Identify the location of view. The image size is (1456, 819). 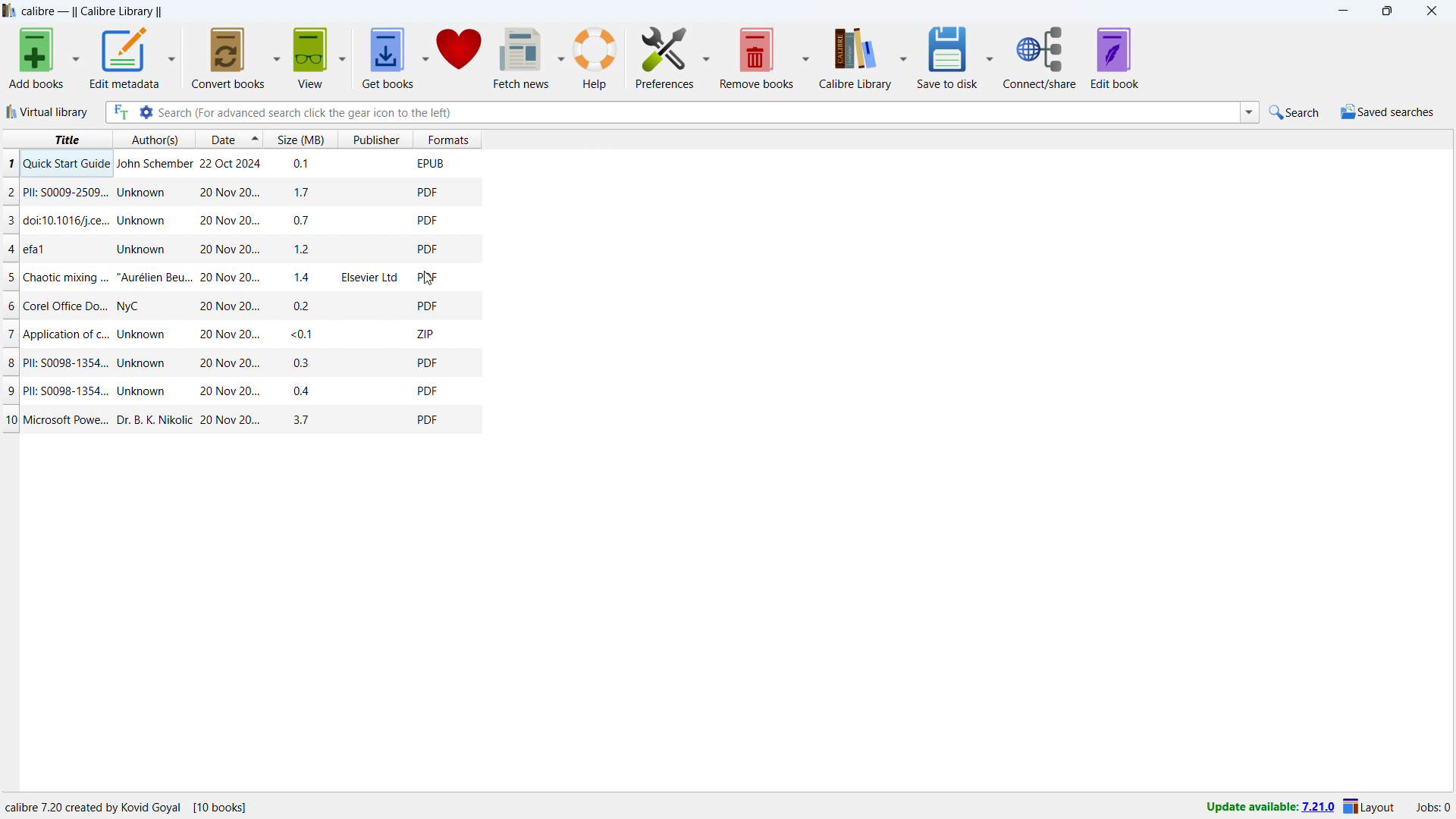
(310, 57).